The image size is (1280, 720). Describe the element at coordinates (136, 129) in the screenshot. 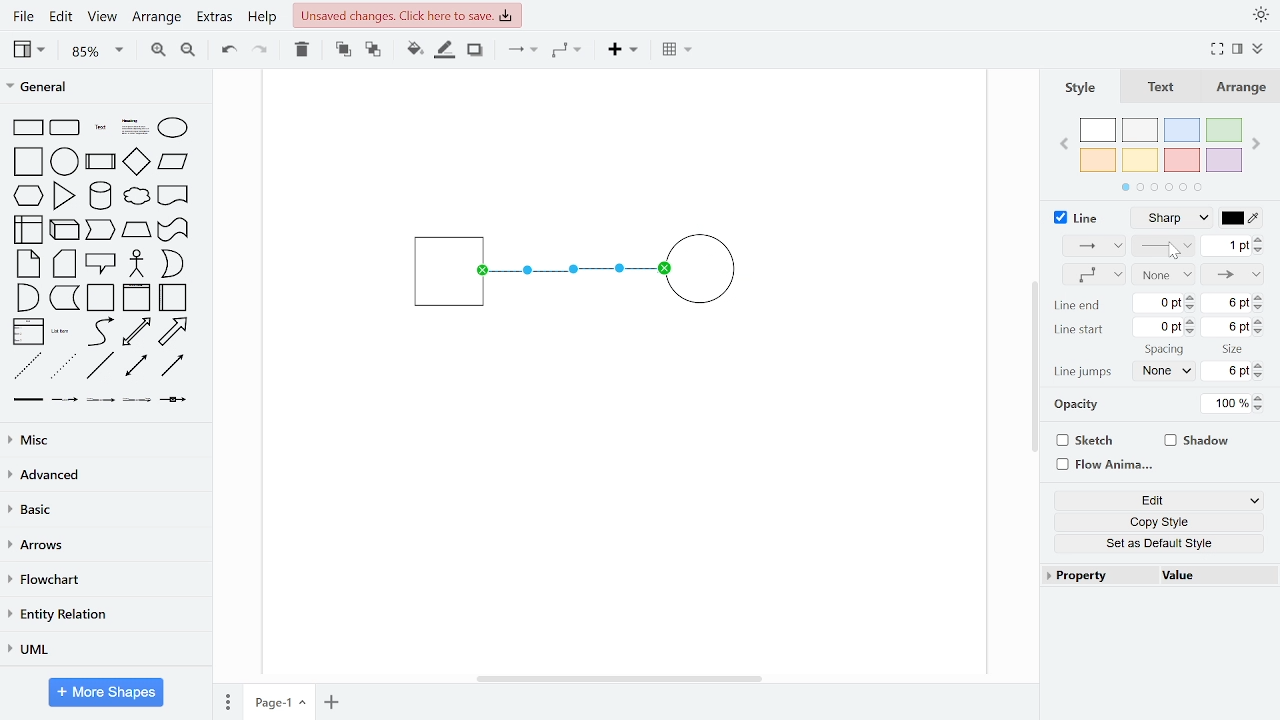

I see `text box` at that location.